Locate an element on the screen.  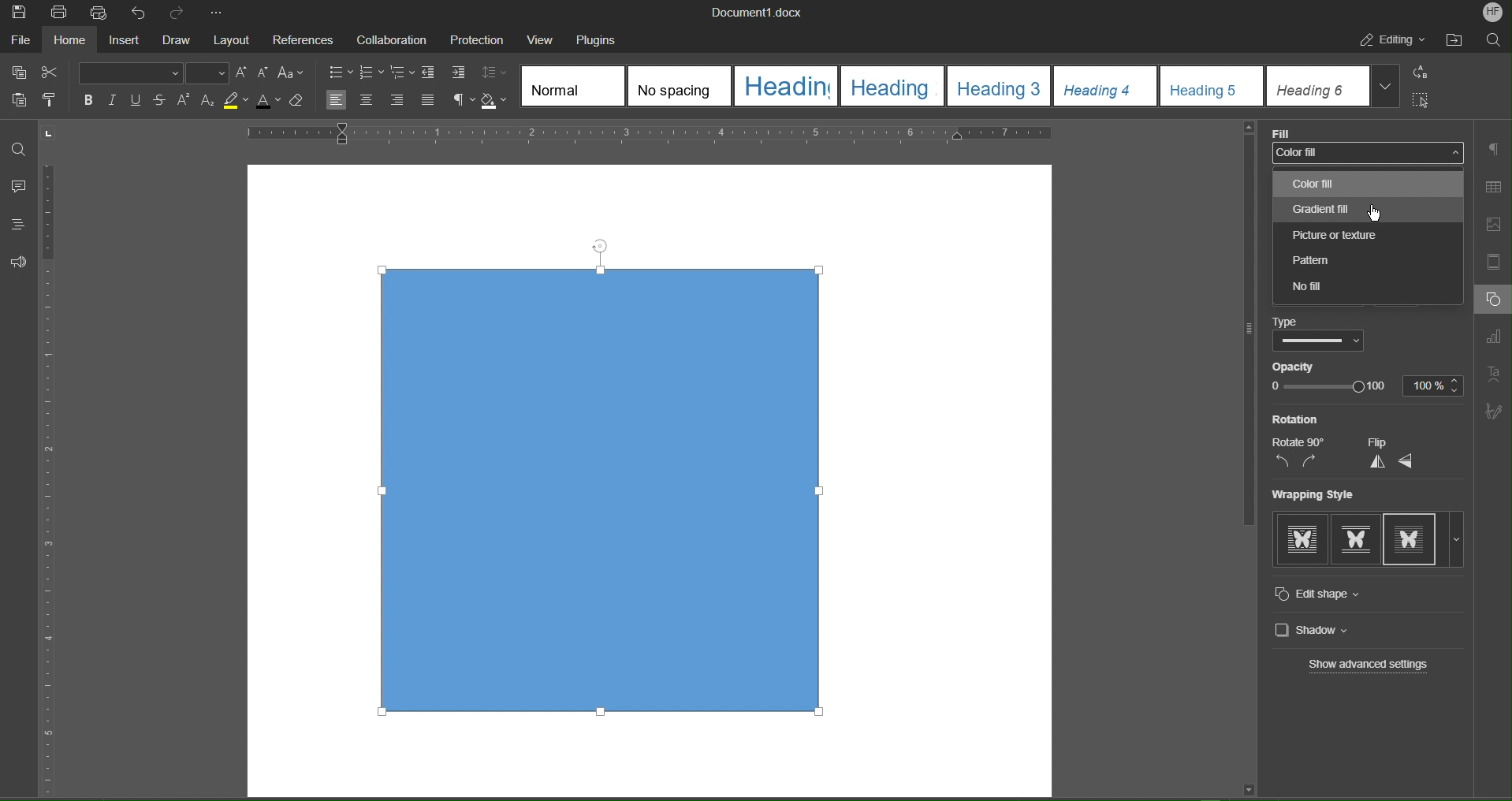
Square wrapping is located at coordinates (1356, 543).